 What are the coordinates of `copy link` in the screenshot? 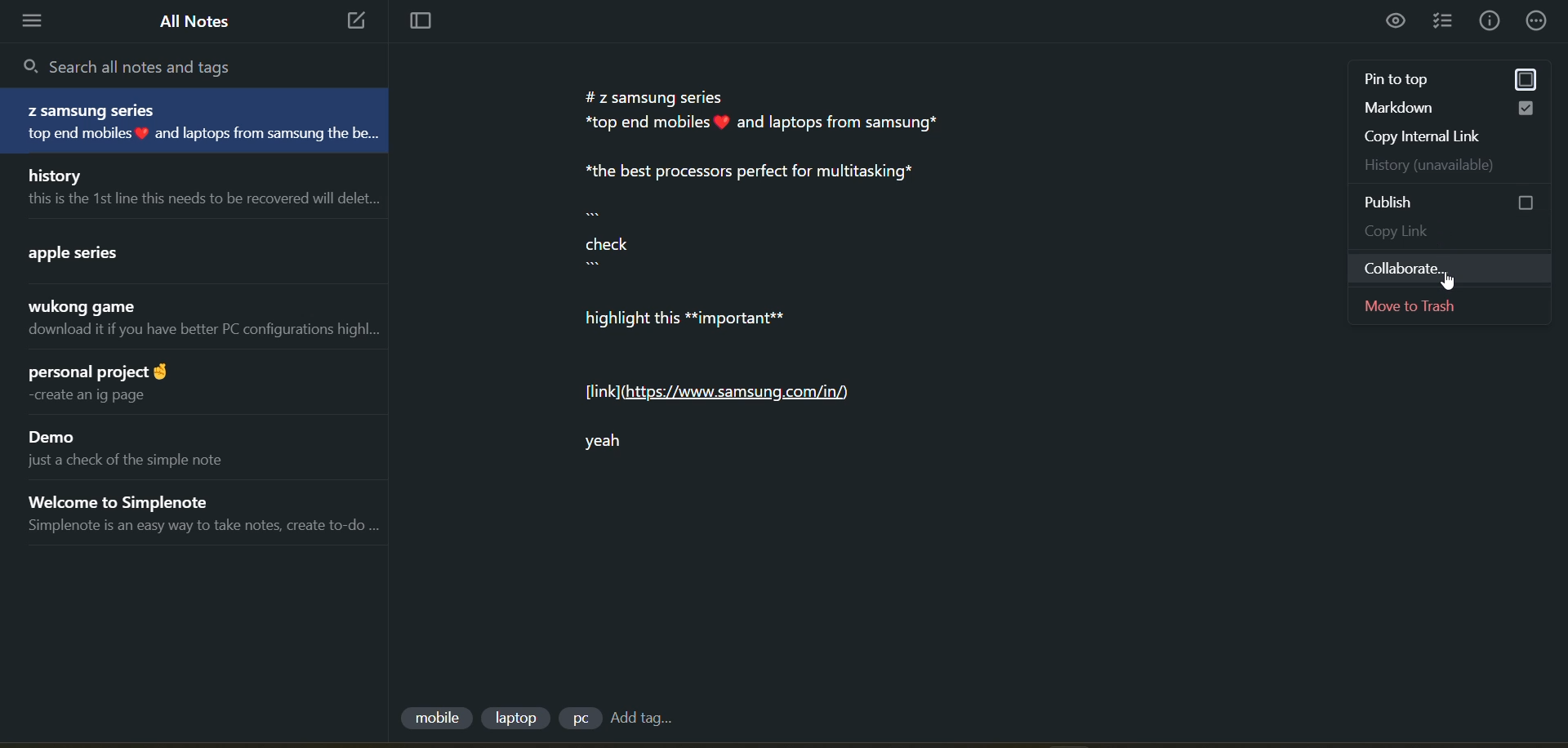 It's located at (1462, 236).